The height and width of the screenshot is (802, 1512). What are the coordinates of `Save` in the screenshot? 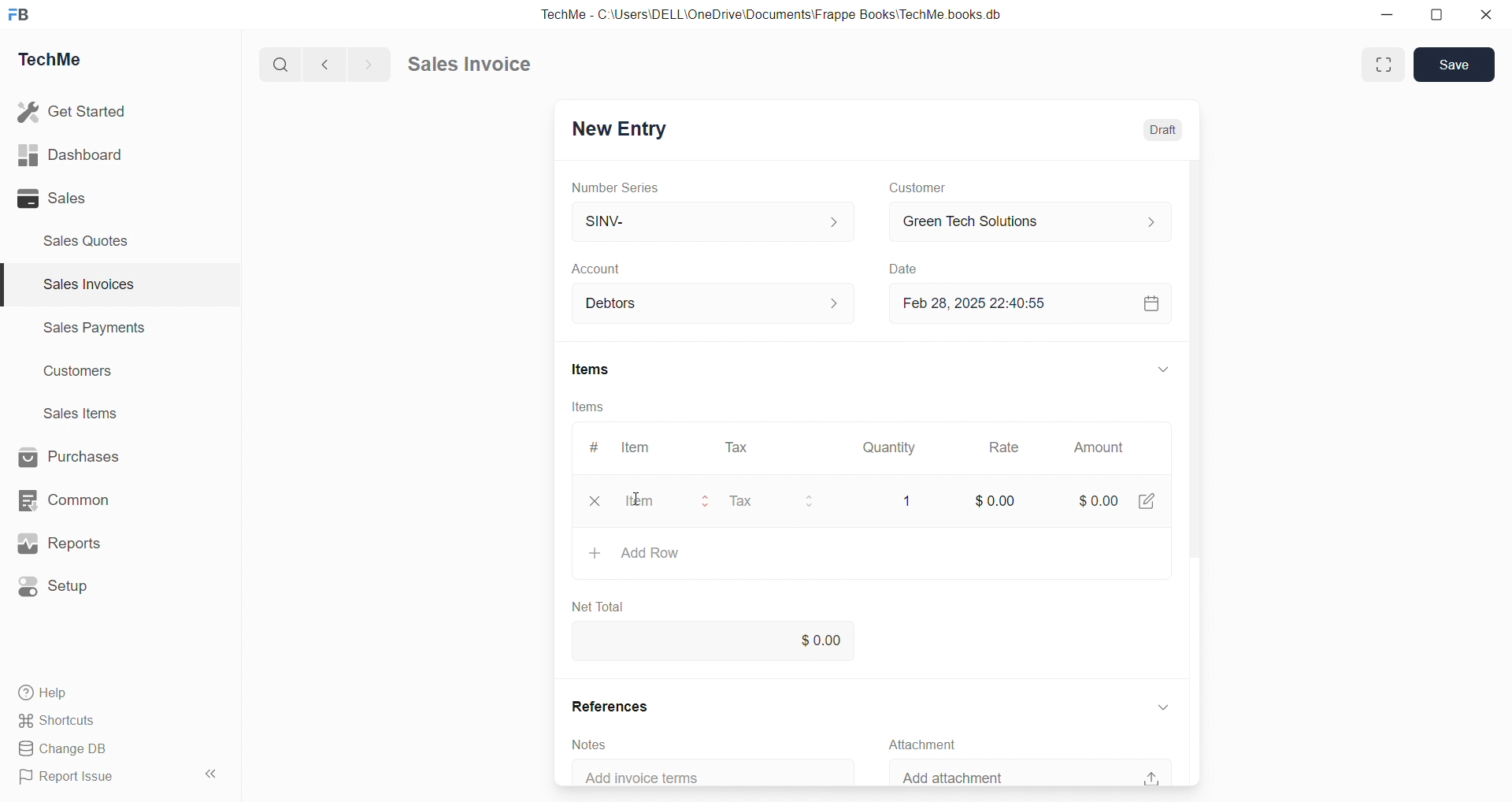 It's located at (1455, 64).